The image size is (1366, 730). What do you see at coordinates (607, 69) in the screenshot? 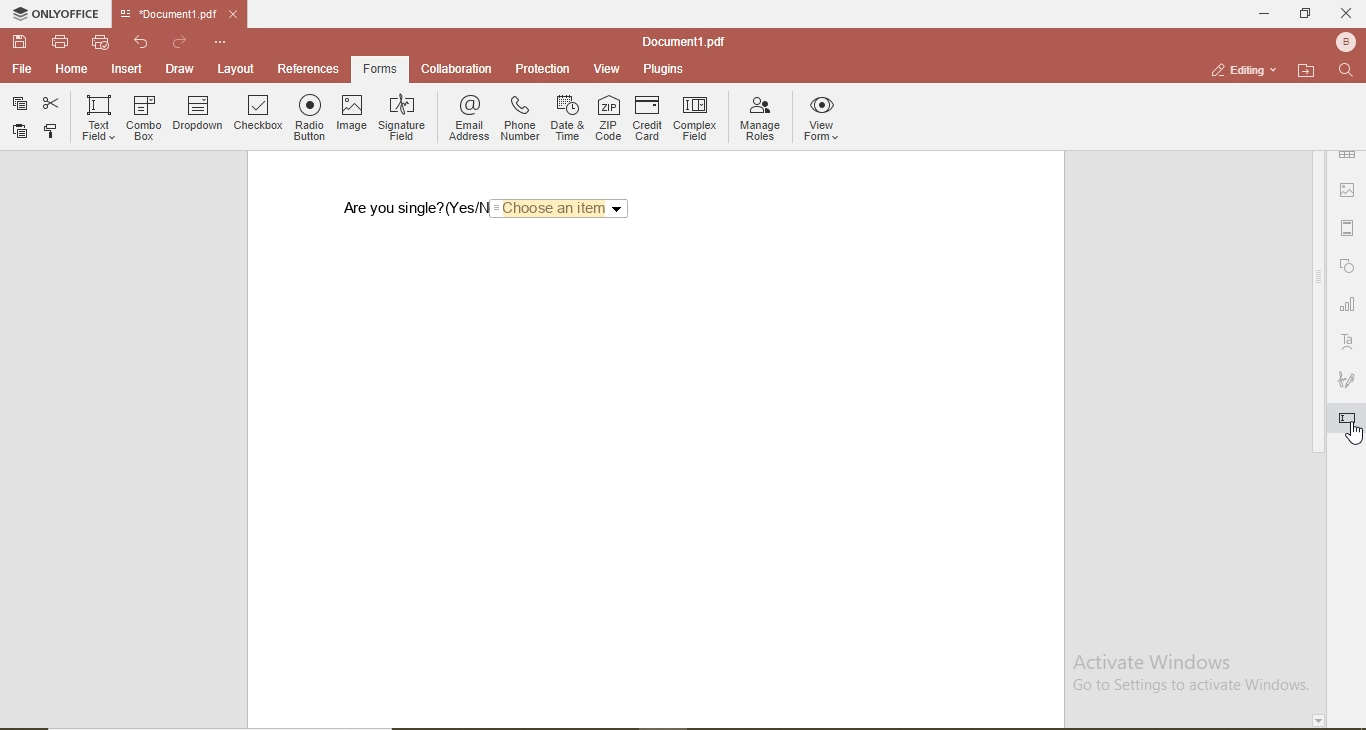
I see `view` at bounding box center [607, 69].